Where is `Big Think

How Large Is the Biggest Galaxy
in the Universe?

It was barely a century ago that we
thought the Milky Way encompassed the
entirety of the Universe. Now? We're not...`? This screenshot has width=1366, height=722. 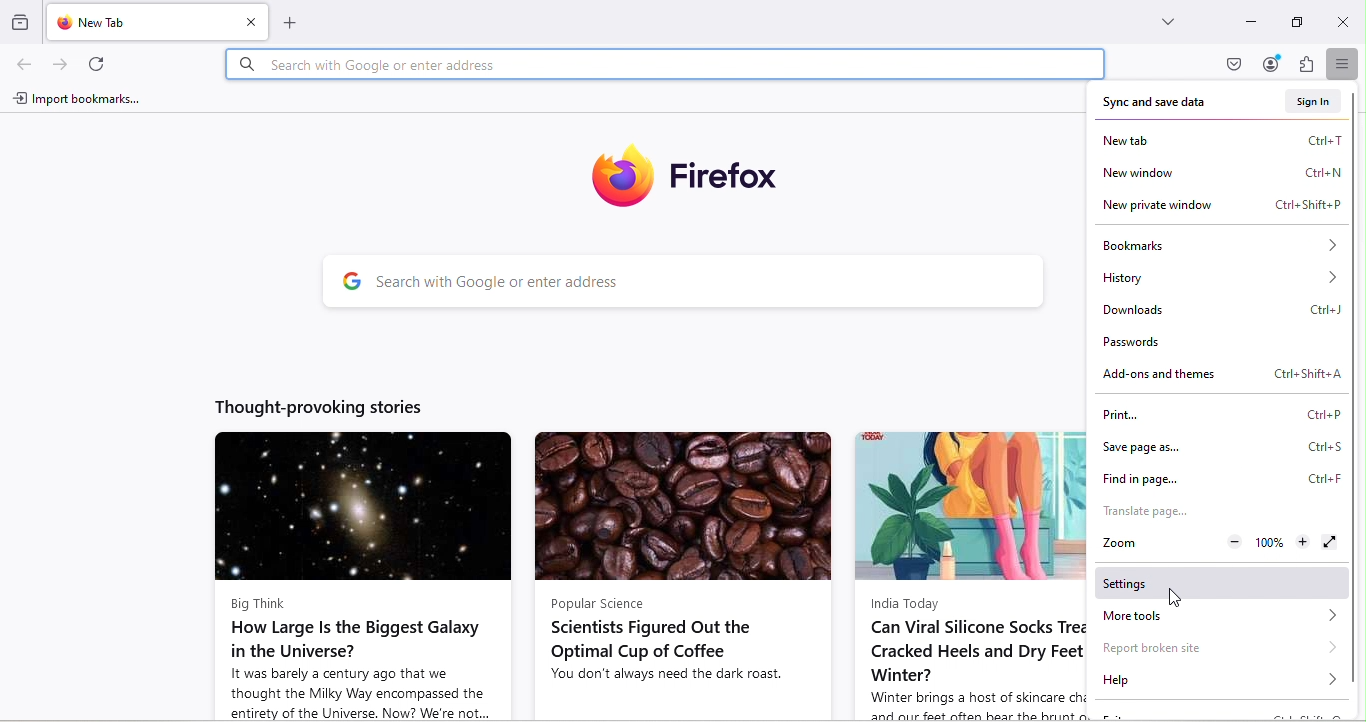
Big Think

How Large Is the Biggest Galaxy
in the Universe?

It was barely a century ago that we
thought the Milky Way encompassed the
entirety of the Universe. Now? We're not... is located at coordinates (358, 656).